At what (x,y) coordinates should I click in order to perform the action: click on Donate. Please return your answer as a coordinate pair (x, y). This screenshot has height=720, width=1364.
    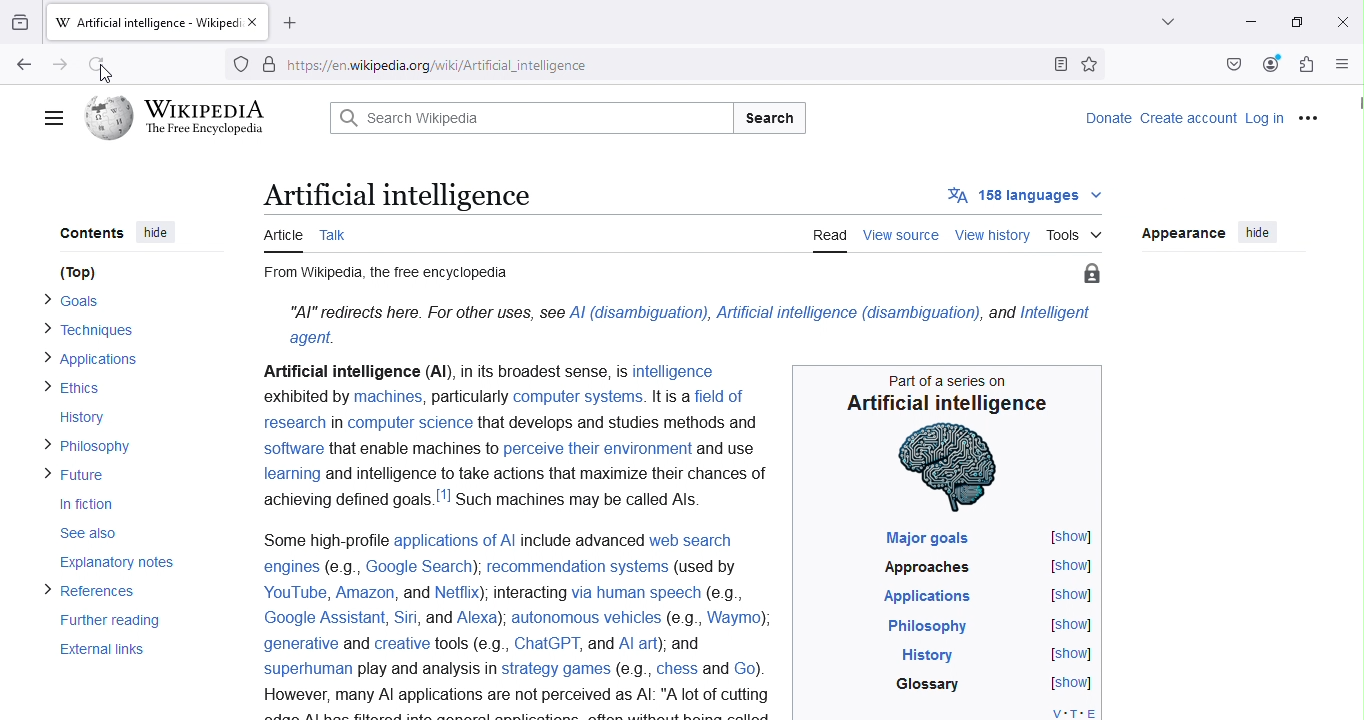
    Looking at the image, I should click on (1107, 119).